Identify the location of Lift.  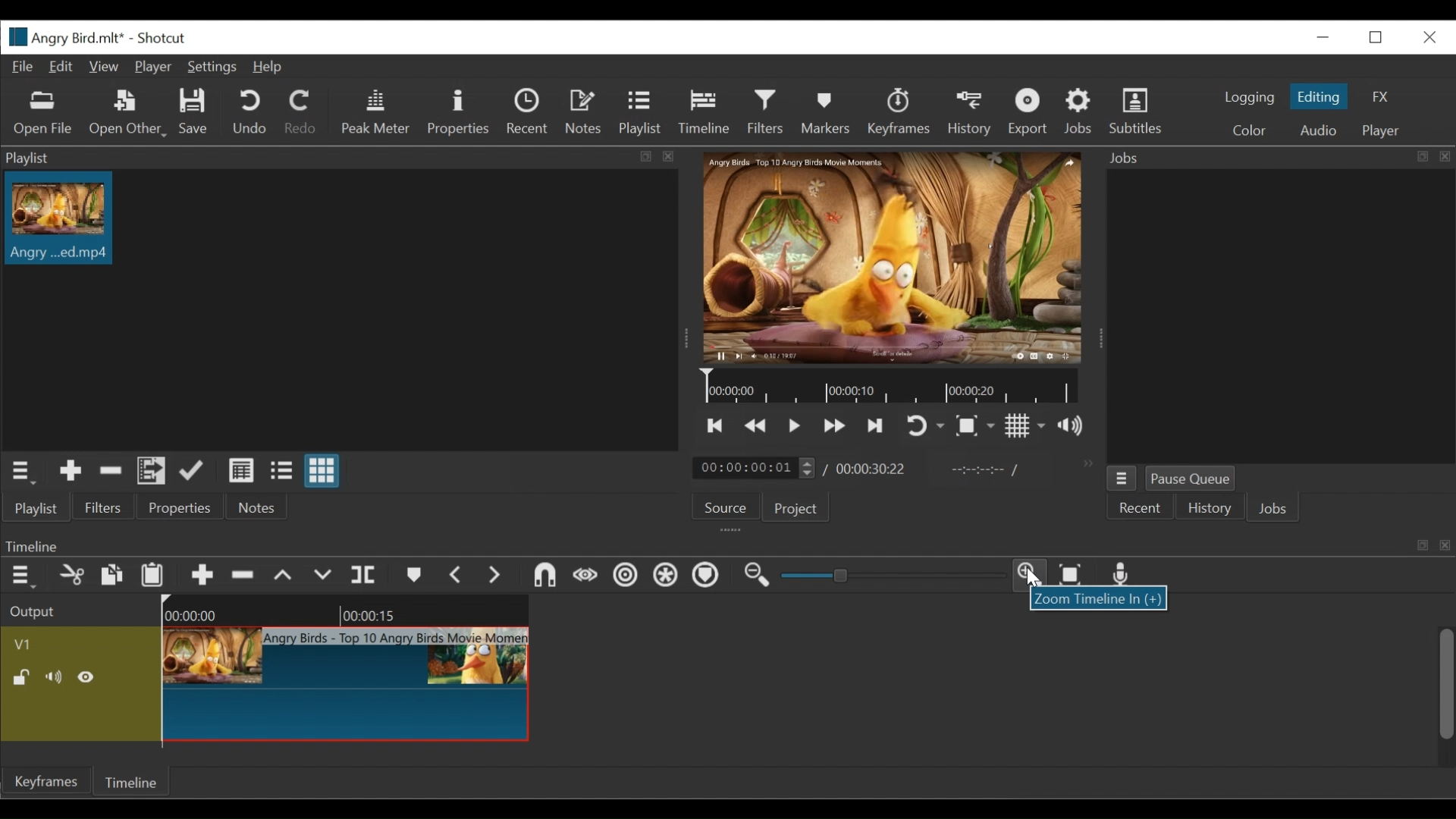
(286, 575).